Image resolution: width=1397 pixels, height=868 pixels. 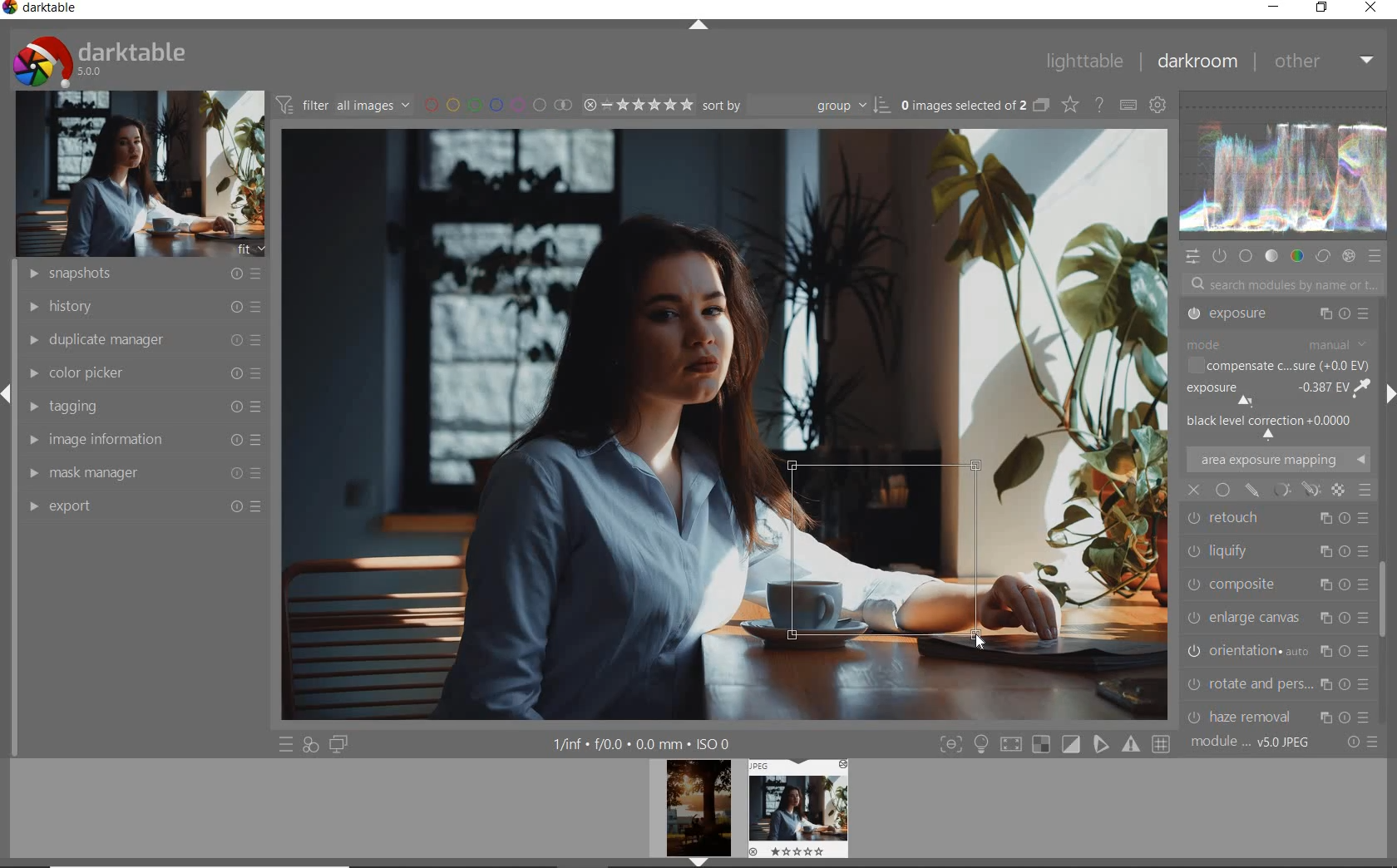 What do you see at coordinates (1195, 490) in the screenshot?
I see `close` at bounding box center [1195, 490].